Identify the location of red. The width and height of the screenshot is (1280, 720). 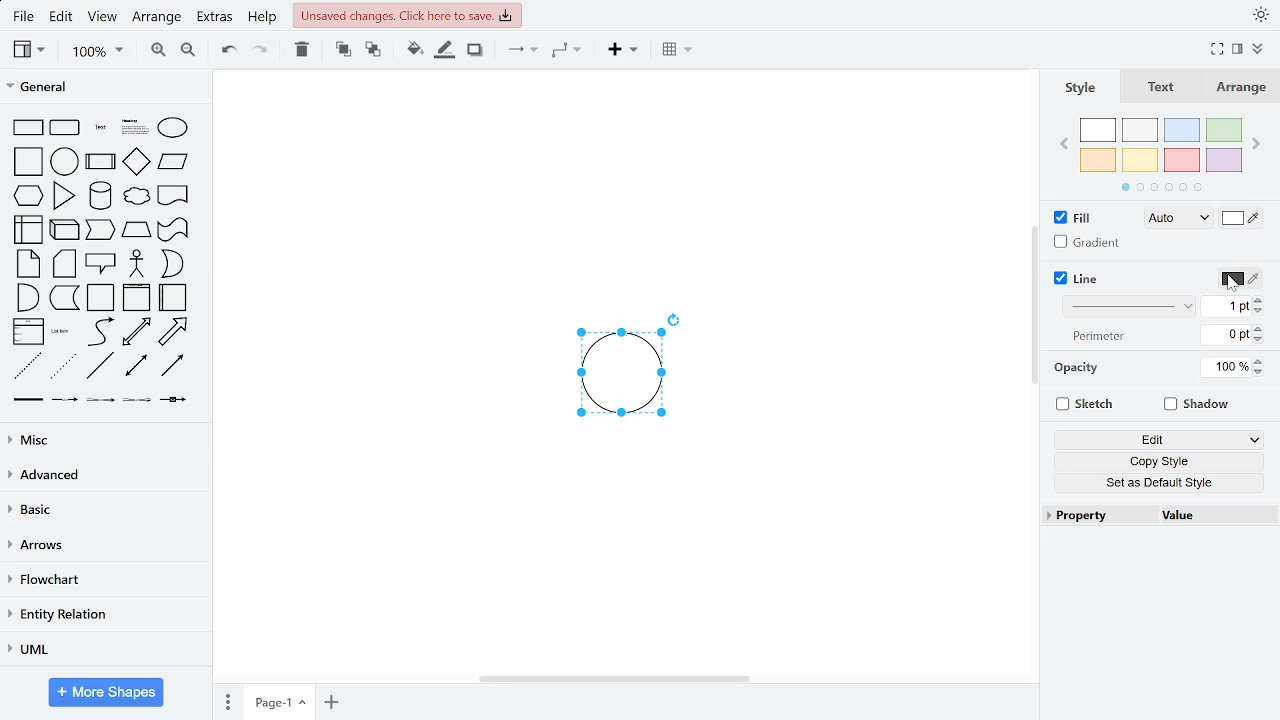
(1182, 159).